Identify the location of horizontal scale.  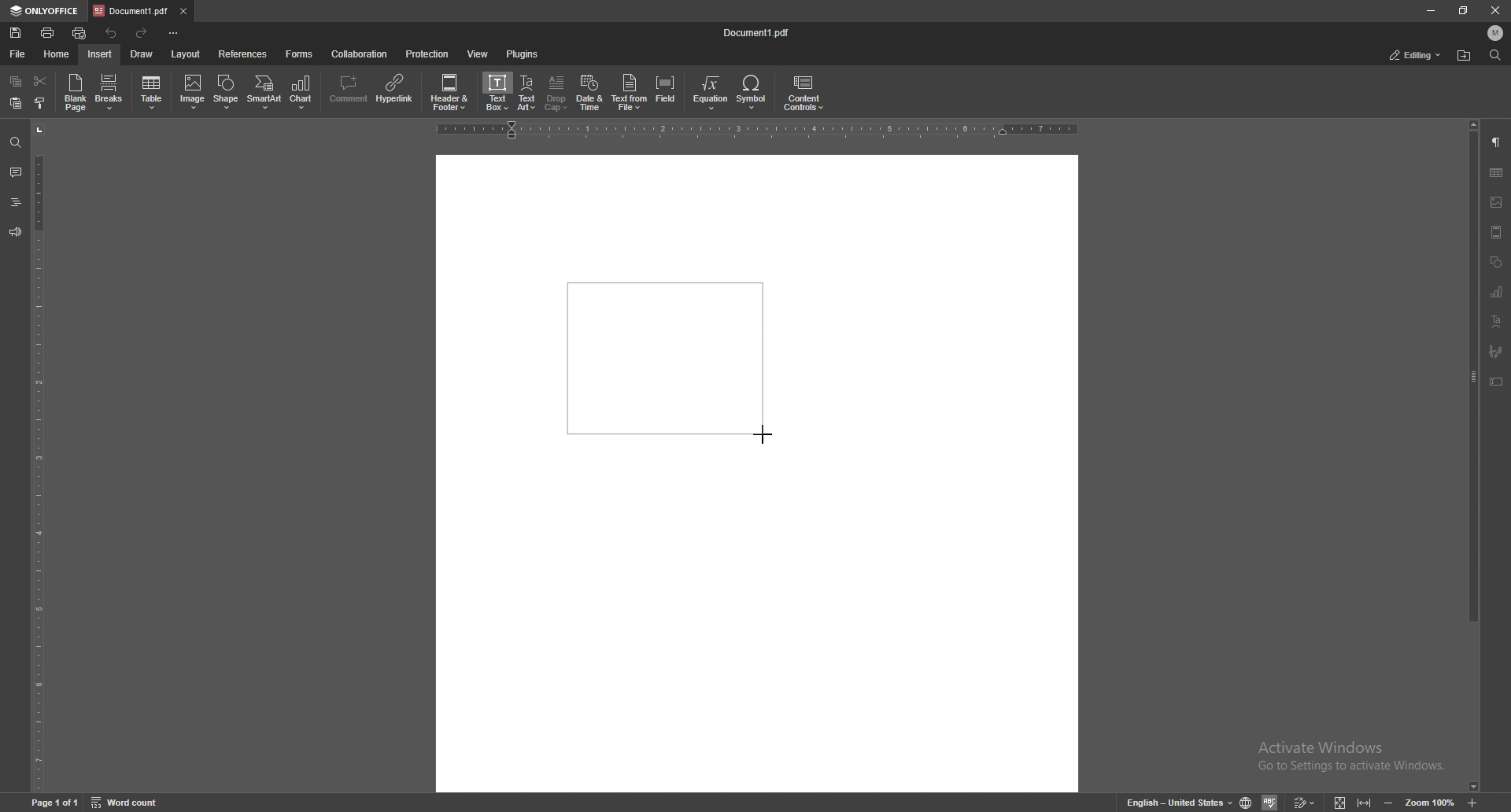
(757, 130).